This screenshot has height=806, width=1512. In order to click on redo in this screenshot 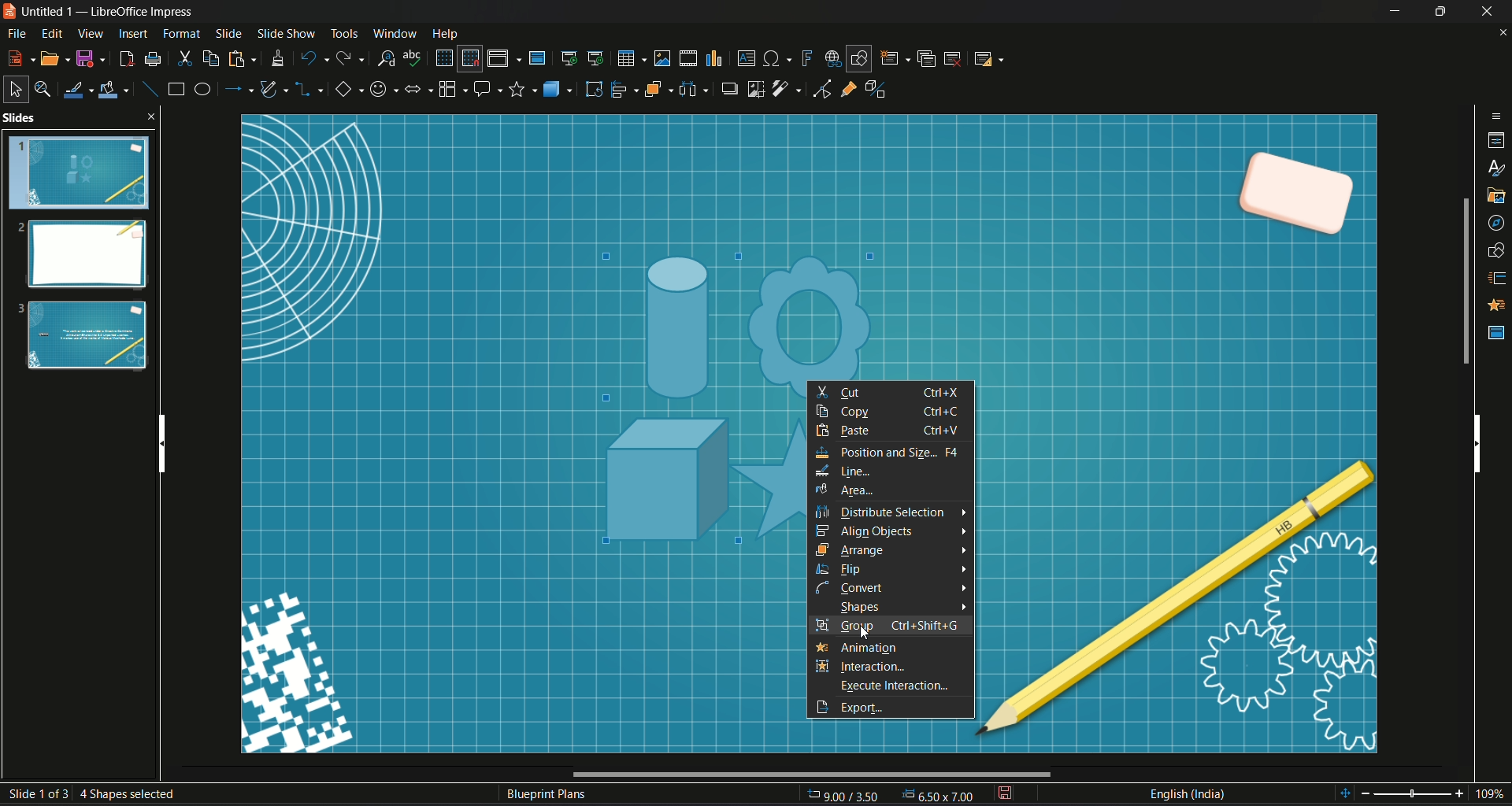, I will do `click(350, 57)`.